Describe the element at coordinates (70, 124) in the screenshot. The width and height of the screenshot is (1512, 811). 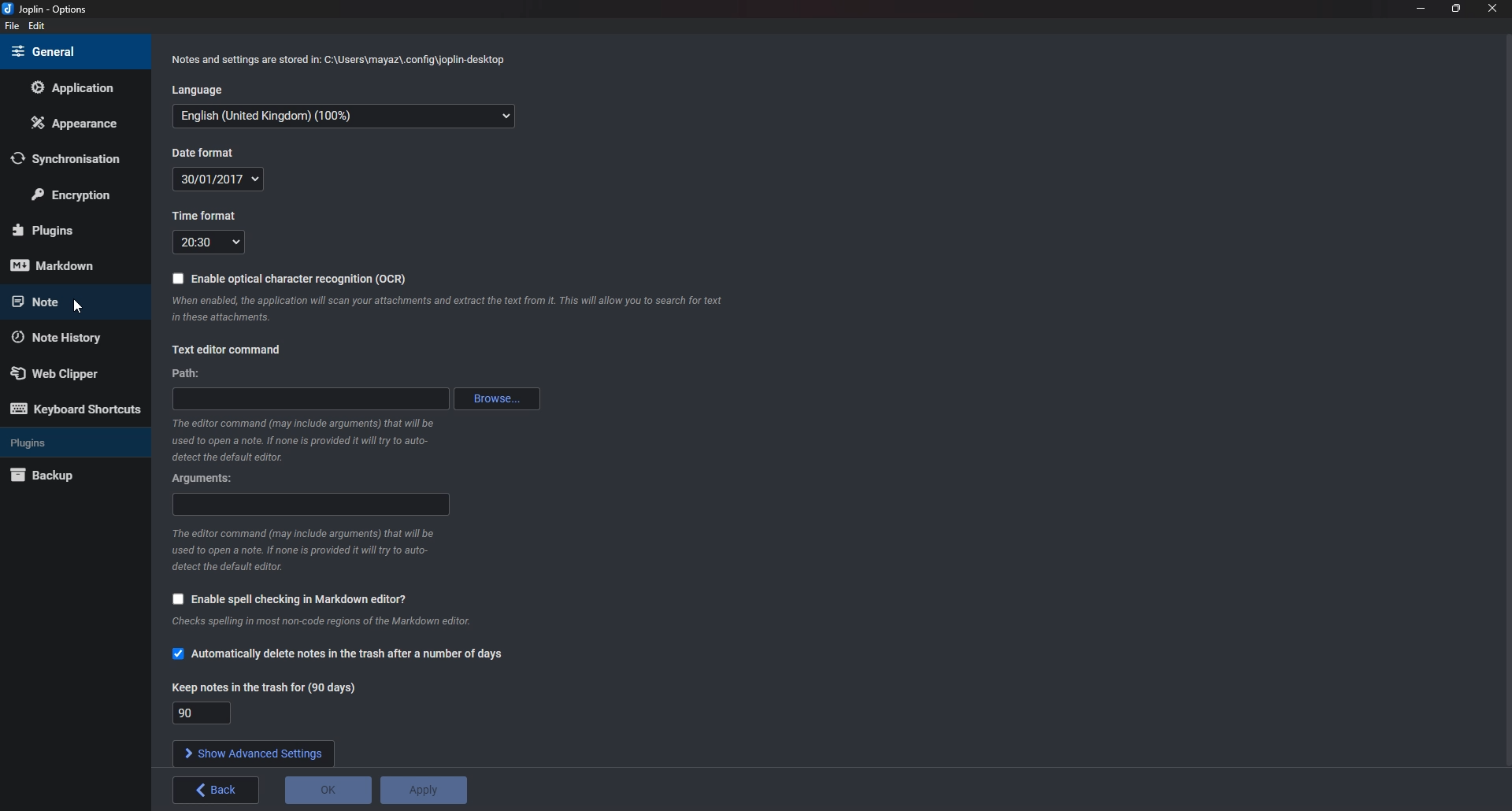
I see `Appearance` at that location.